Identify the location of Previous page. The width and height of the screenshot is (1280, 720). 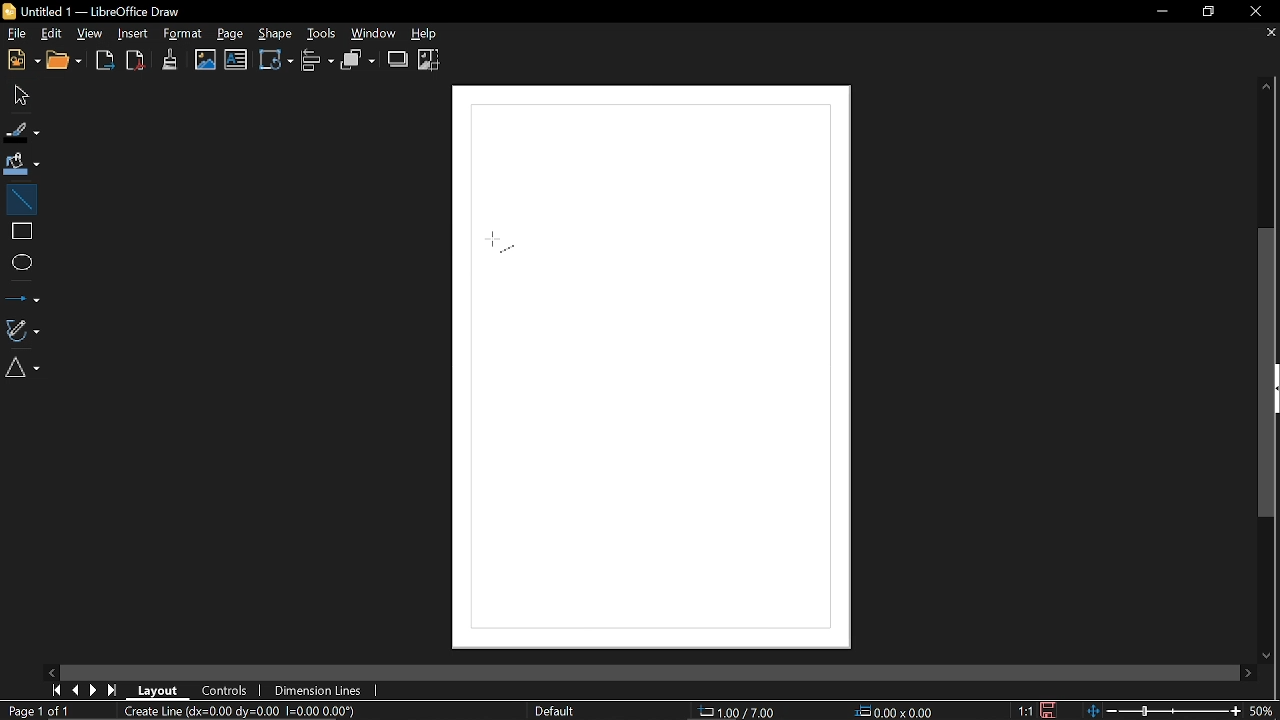
(77, 689).